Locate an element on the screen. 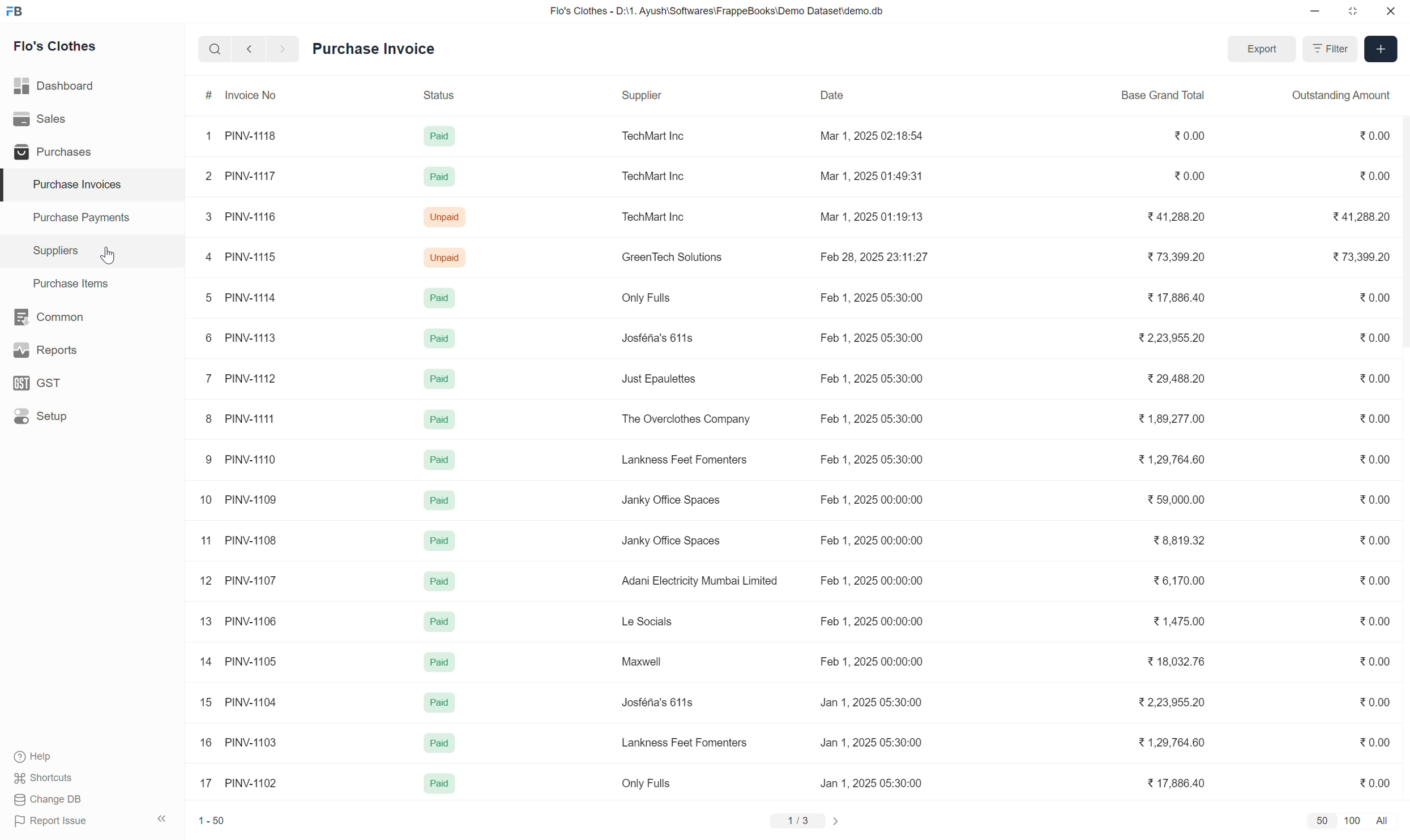 This screenshot has width=1410, height=840. BE Common is located at coordinates (45, 313).